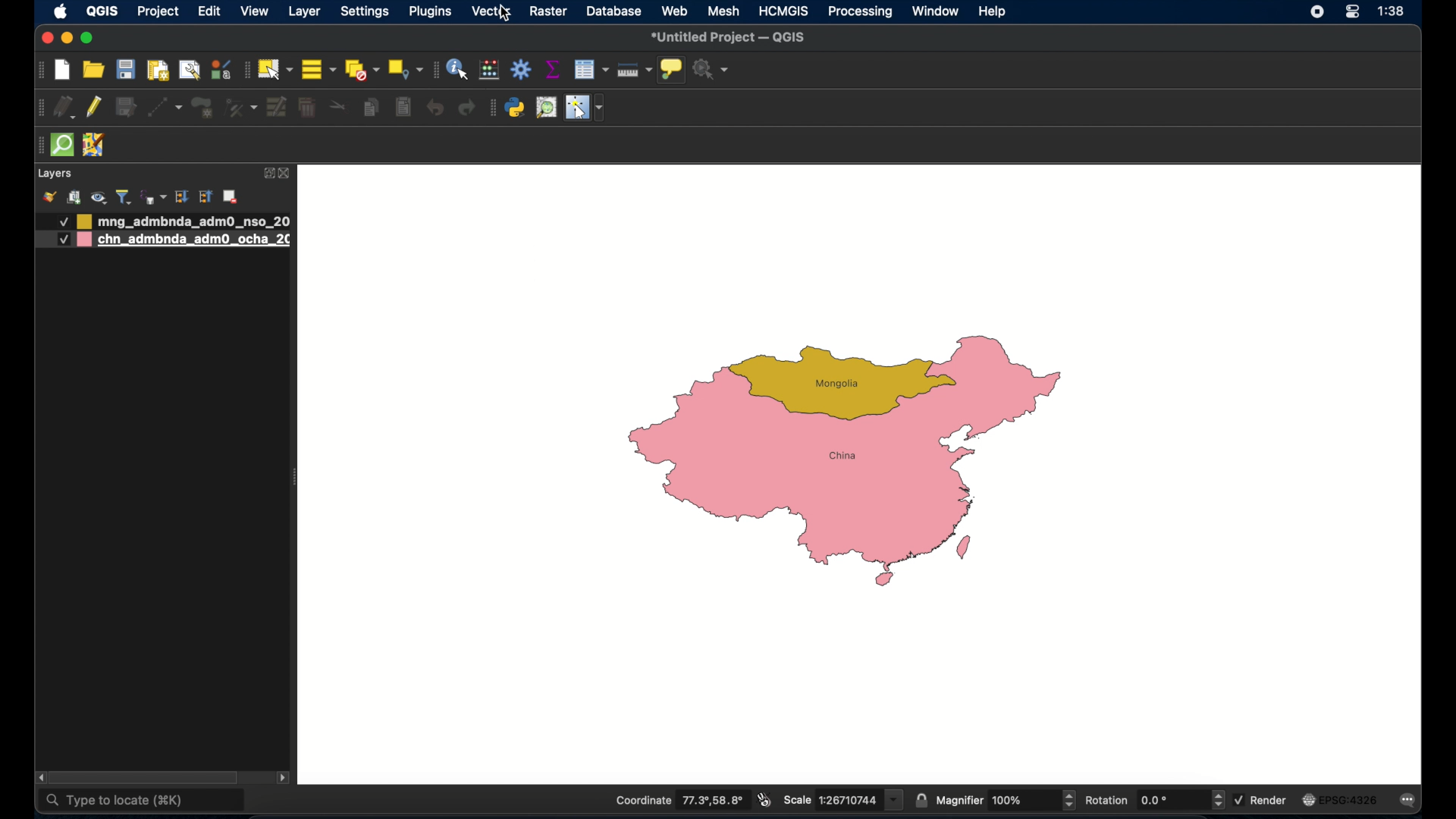  What do you see at coordinates (209, 11) in the screenshot?
I see `edit` at bounding box center [209, 11].